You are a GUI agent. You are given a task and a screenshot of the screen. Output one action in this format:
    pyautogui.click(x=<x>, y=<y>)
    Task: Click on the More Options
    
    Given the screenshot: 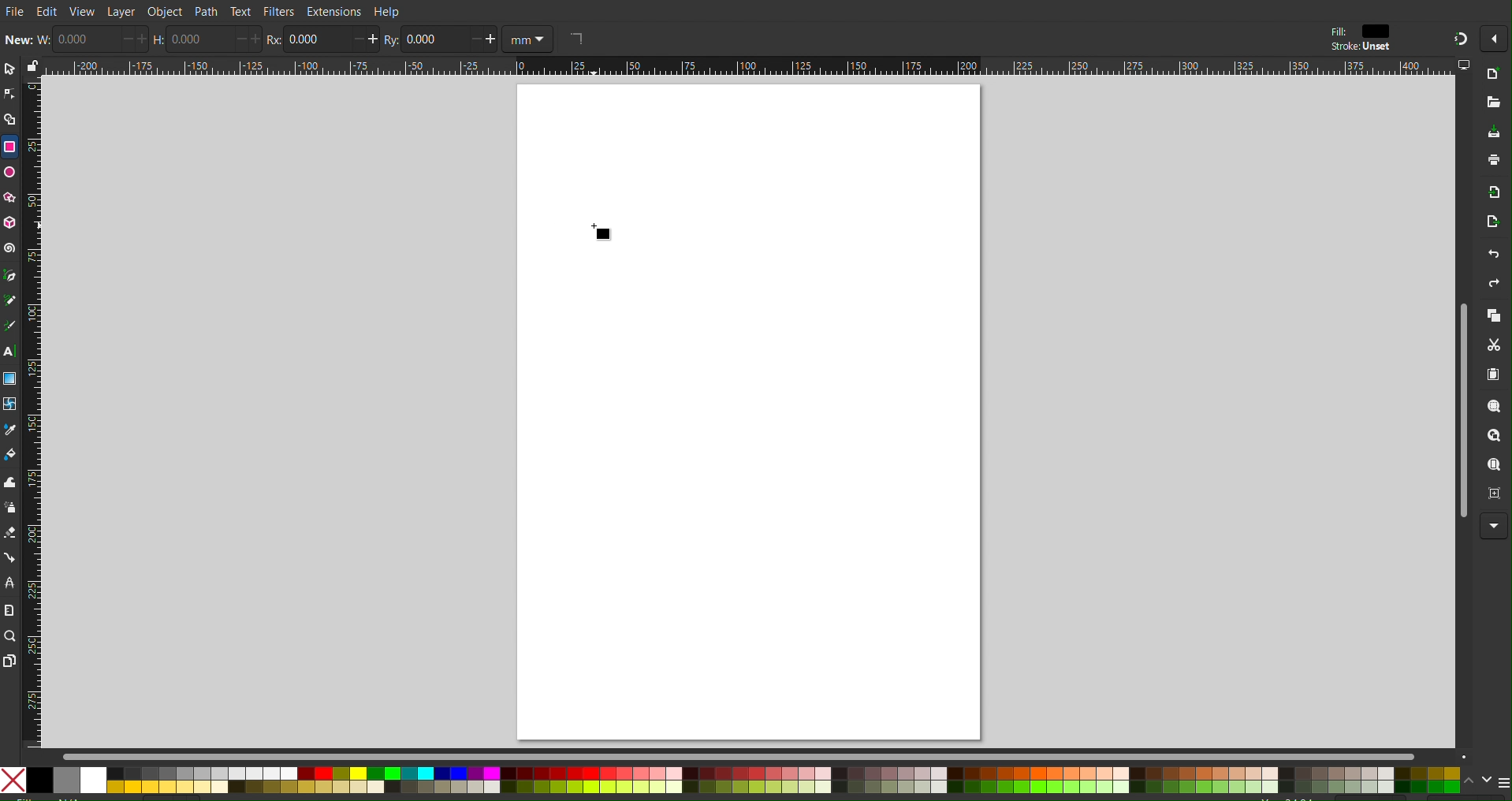 What is the action you would take?
    pyautogui.click(x=1494, y=525)
    